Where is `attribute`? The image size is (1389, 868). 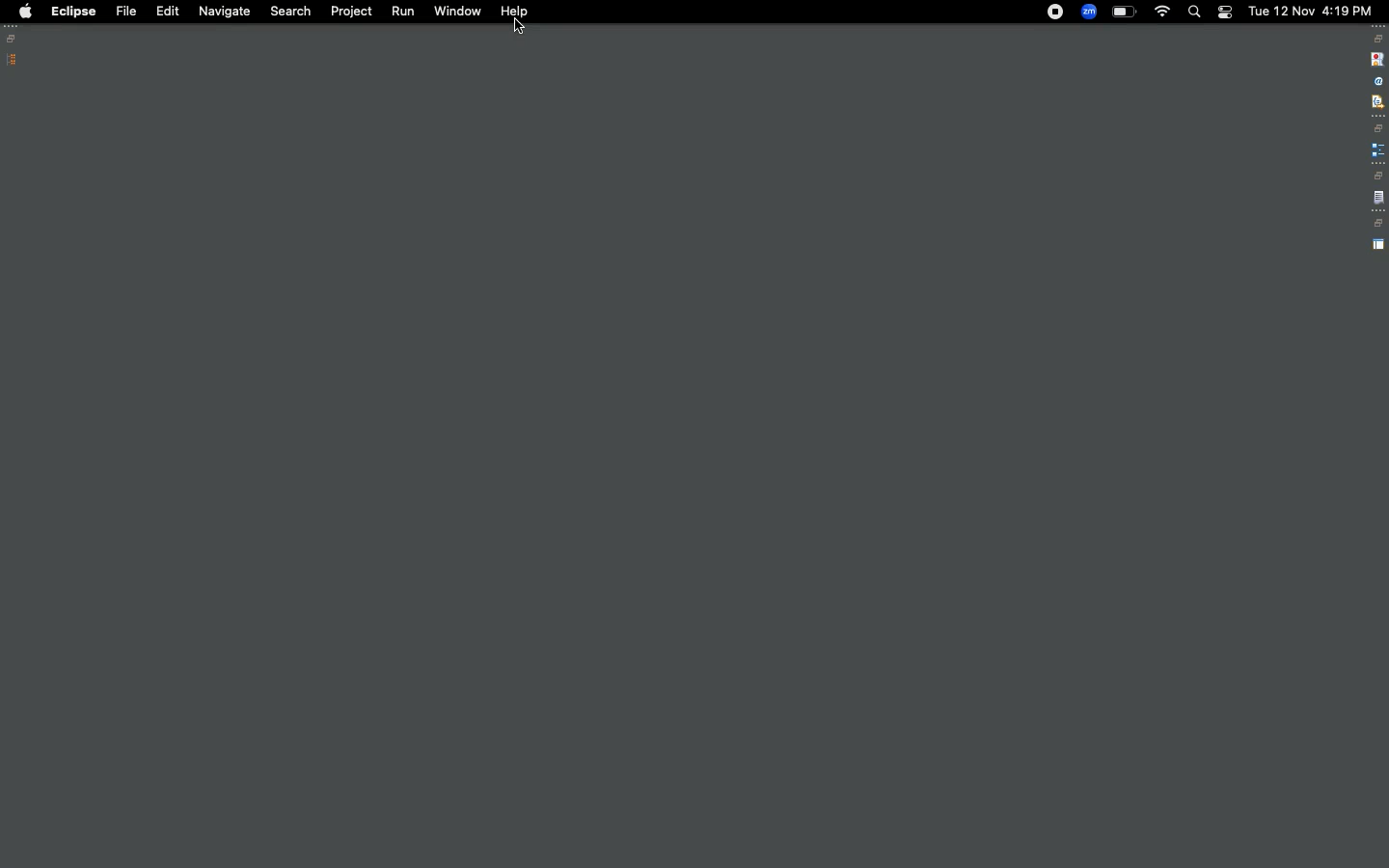 attribute is located at coordinates (1376, 82).